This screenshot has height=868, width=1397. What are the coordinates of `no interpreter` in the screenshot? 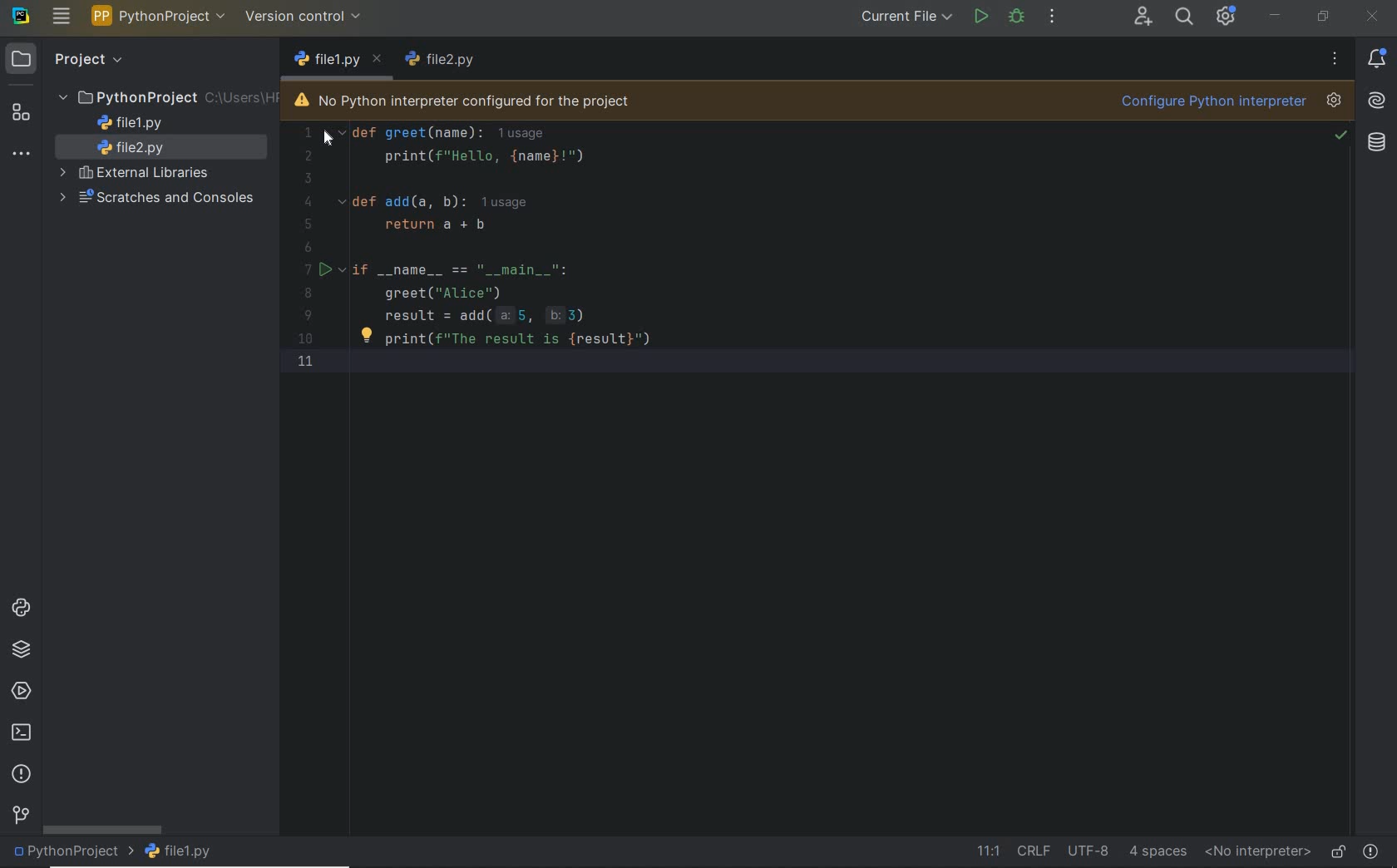 It's located at (1257, 852).